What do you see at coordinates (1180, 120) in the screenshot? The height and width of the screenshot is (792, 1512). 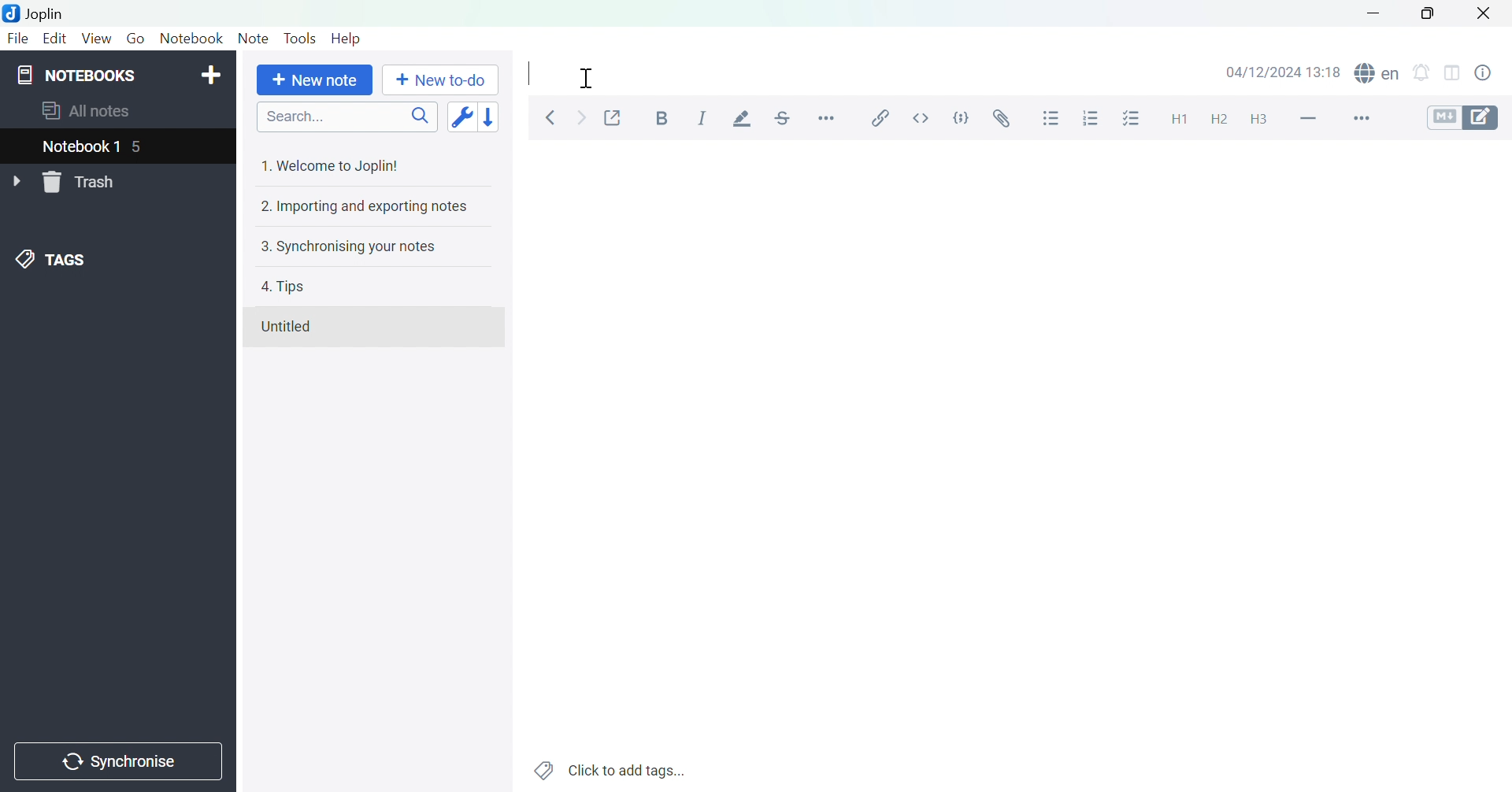 I see `Heading 1` at bounding box center [1180, 120].